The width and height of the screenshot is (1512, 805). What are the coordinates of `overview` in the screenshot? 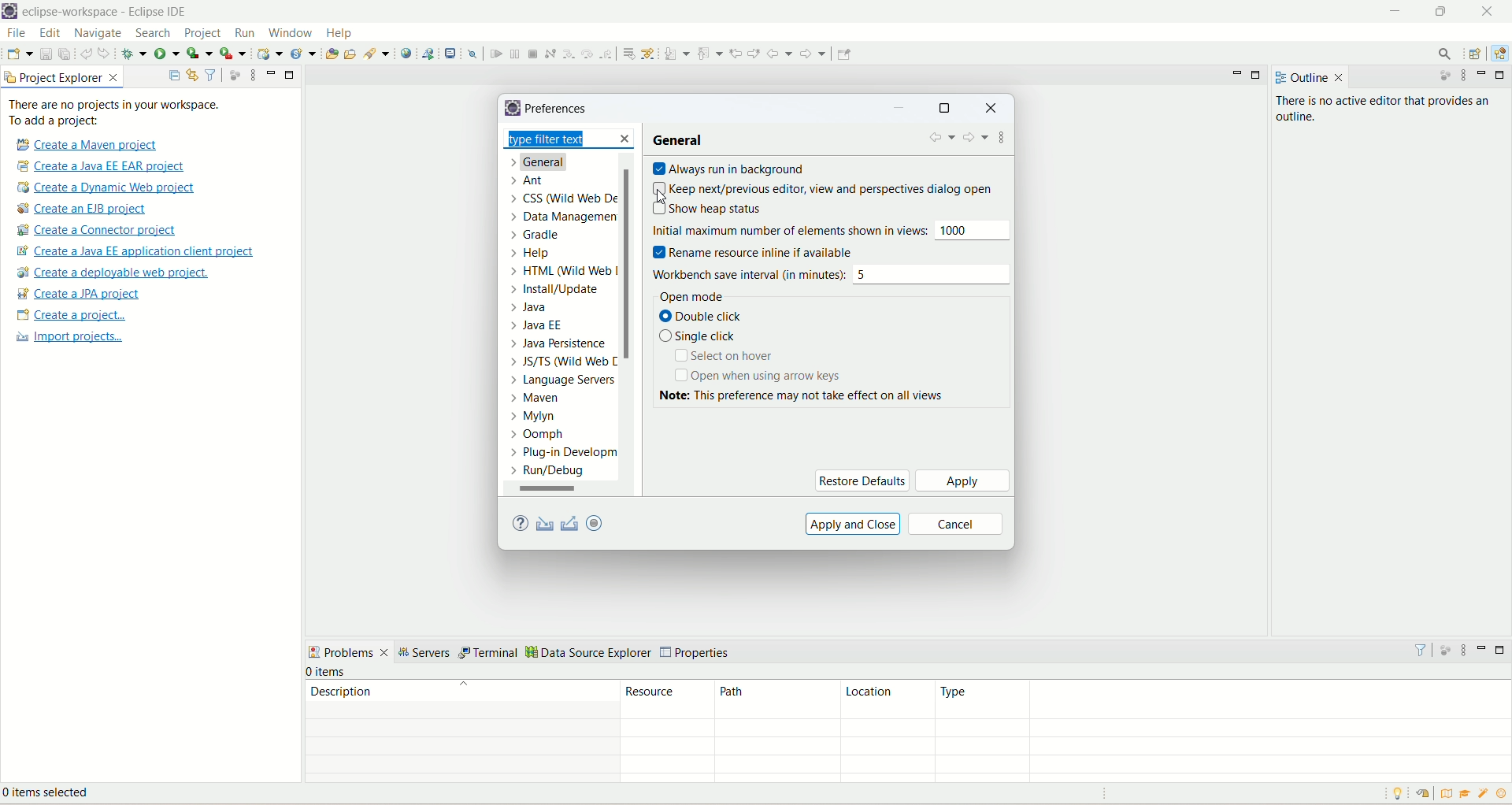 It's located at (1444, 792).